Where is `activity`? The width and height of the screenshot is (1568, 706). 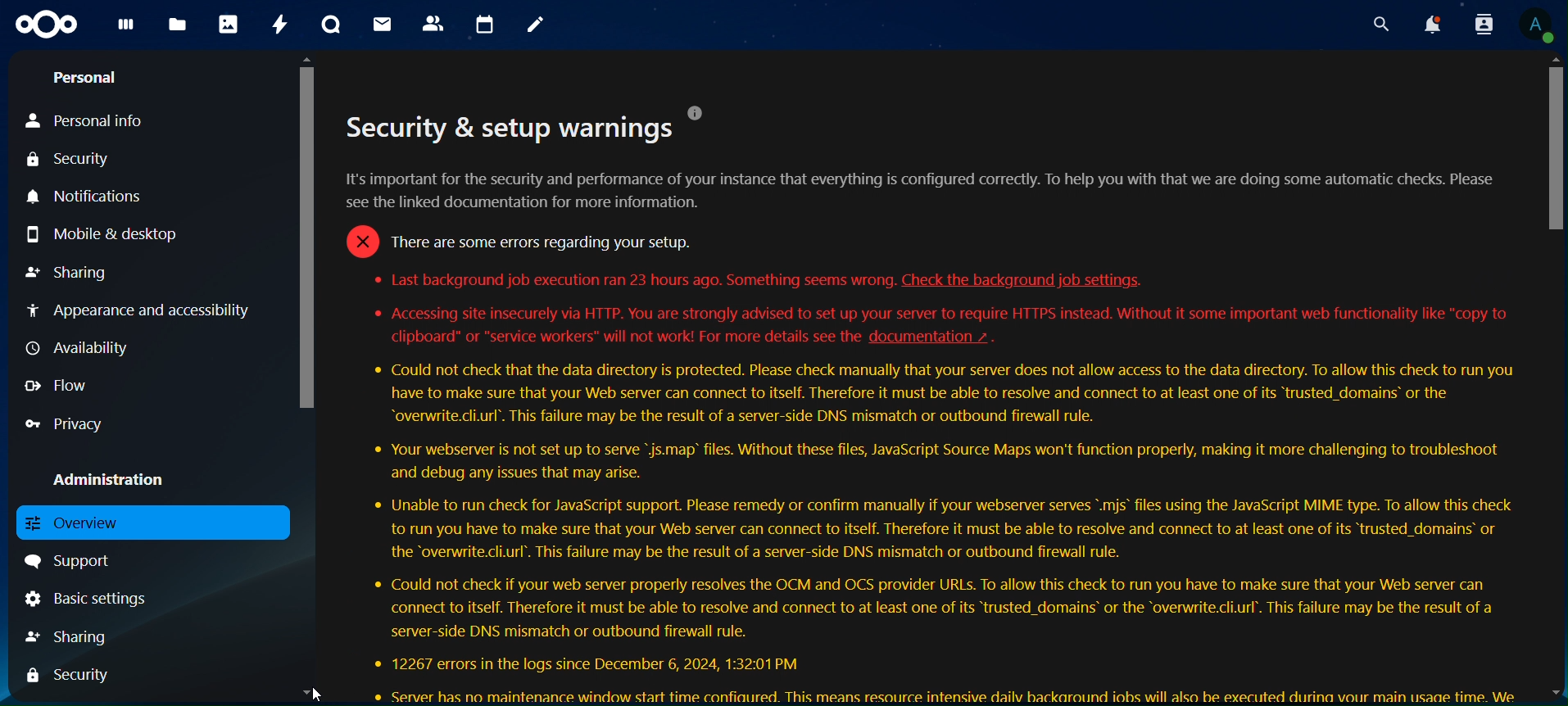 activity is located at coordinates (279, 24).